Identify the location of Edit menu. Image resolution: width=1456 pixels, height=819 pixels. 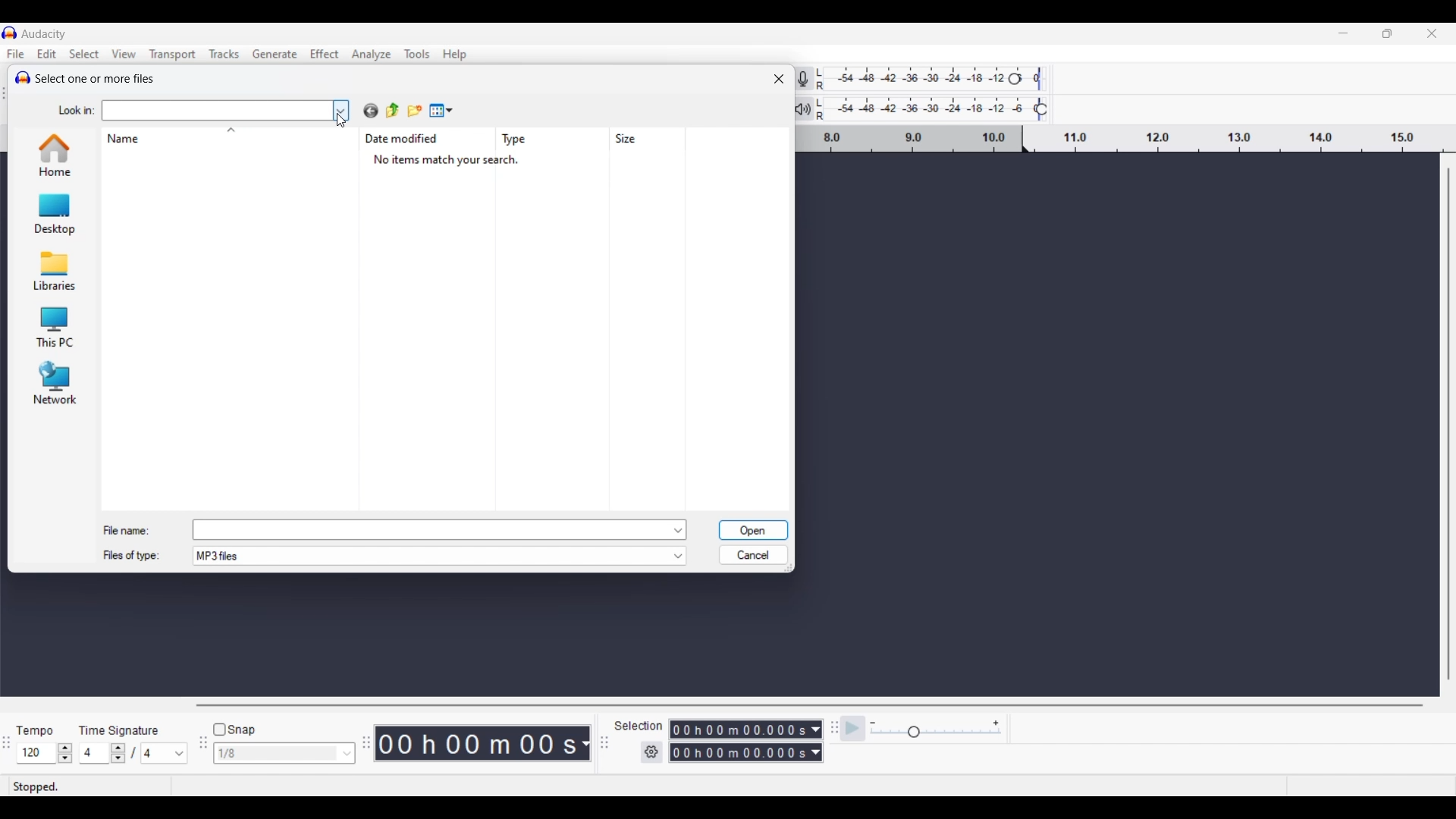
(47, 53).